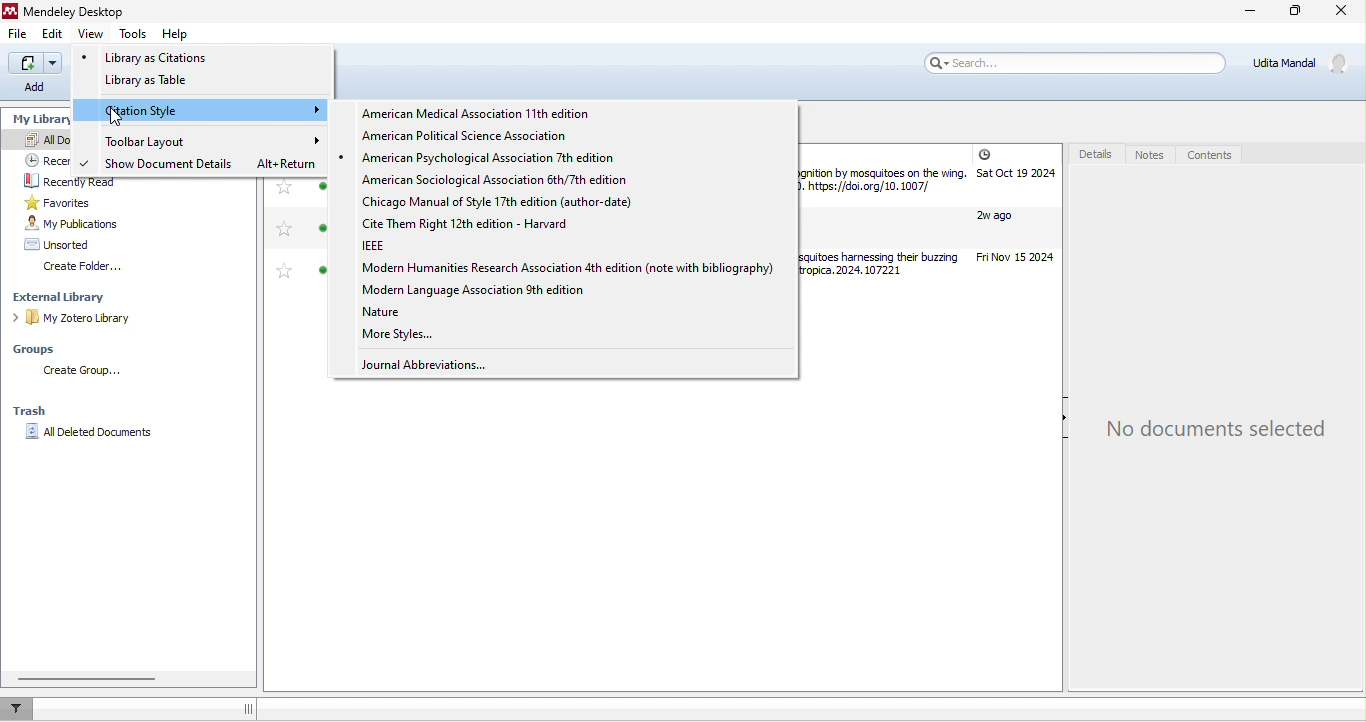 This screenshot has width=1366, height=722. What do you see at coordinates (213, 111) in the screenshot?
I see `citation style` at bounding box center [213, 111].